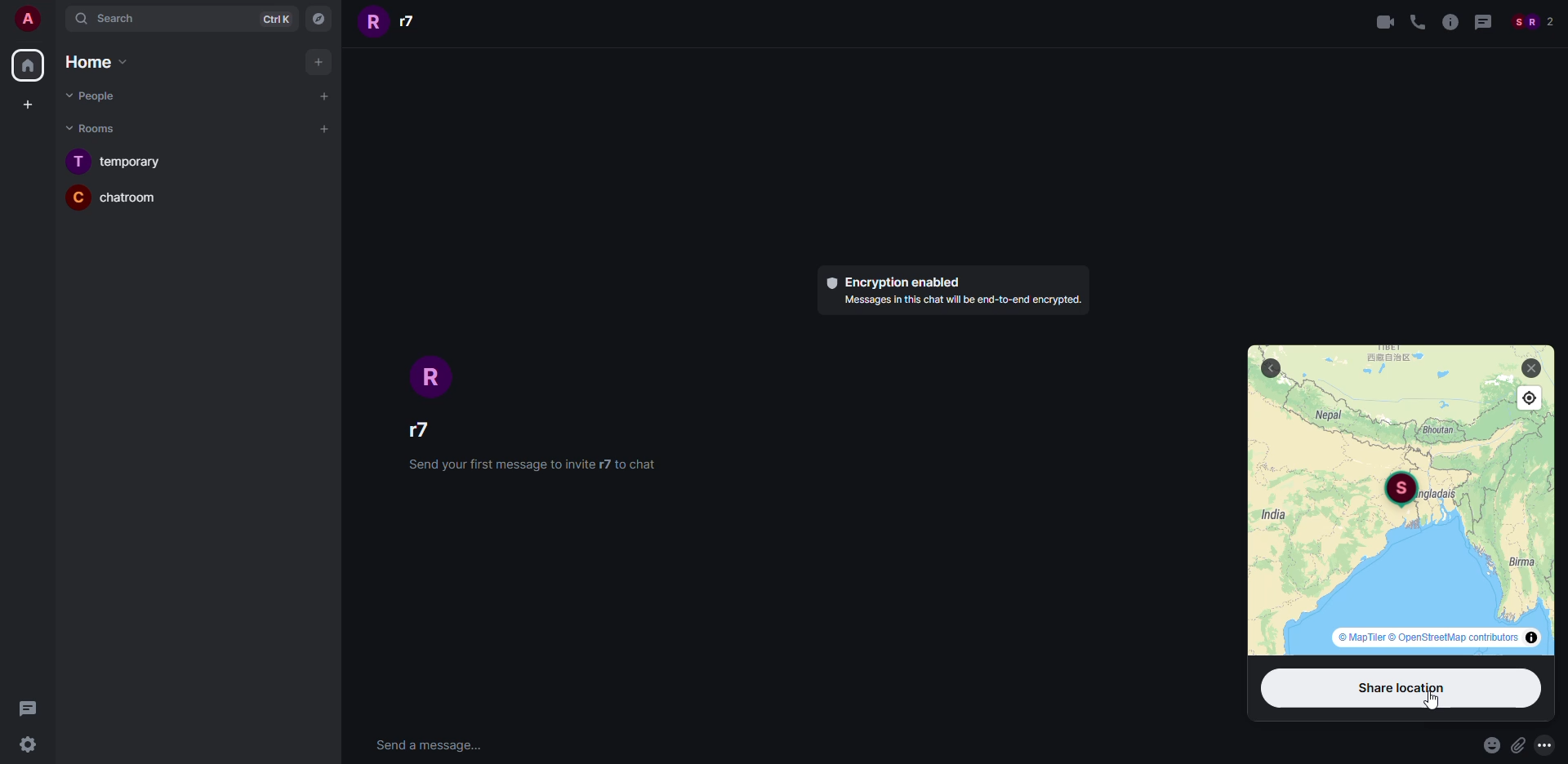 This screenshot has width=1568, height=764. I want to click on r7, so click(394, 22).